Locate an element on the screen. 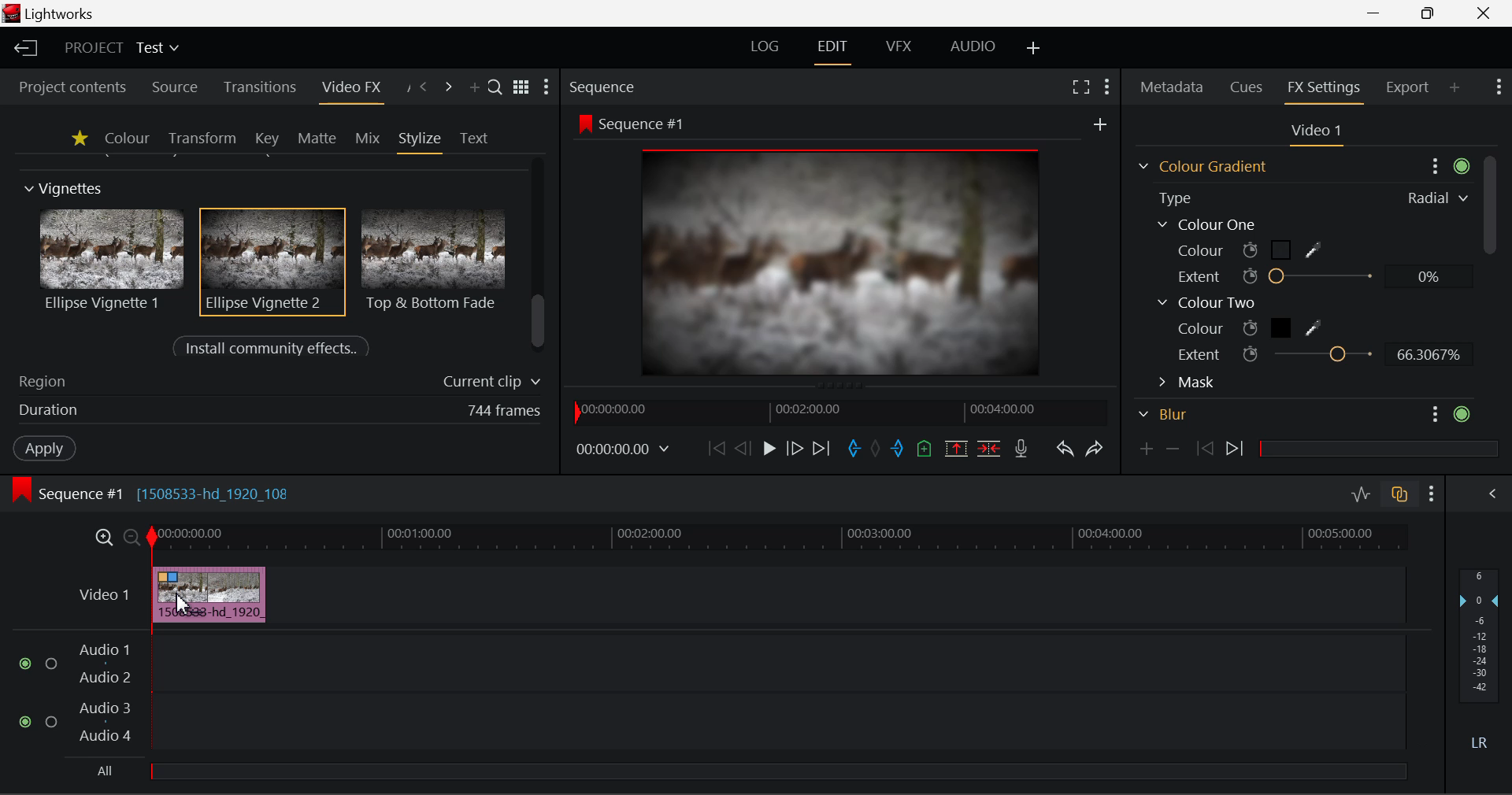  Scroll Bar is located at coordinates (1488, 250).